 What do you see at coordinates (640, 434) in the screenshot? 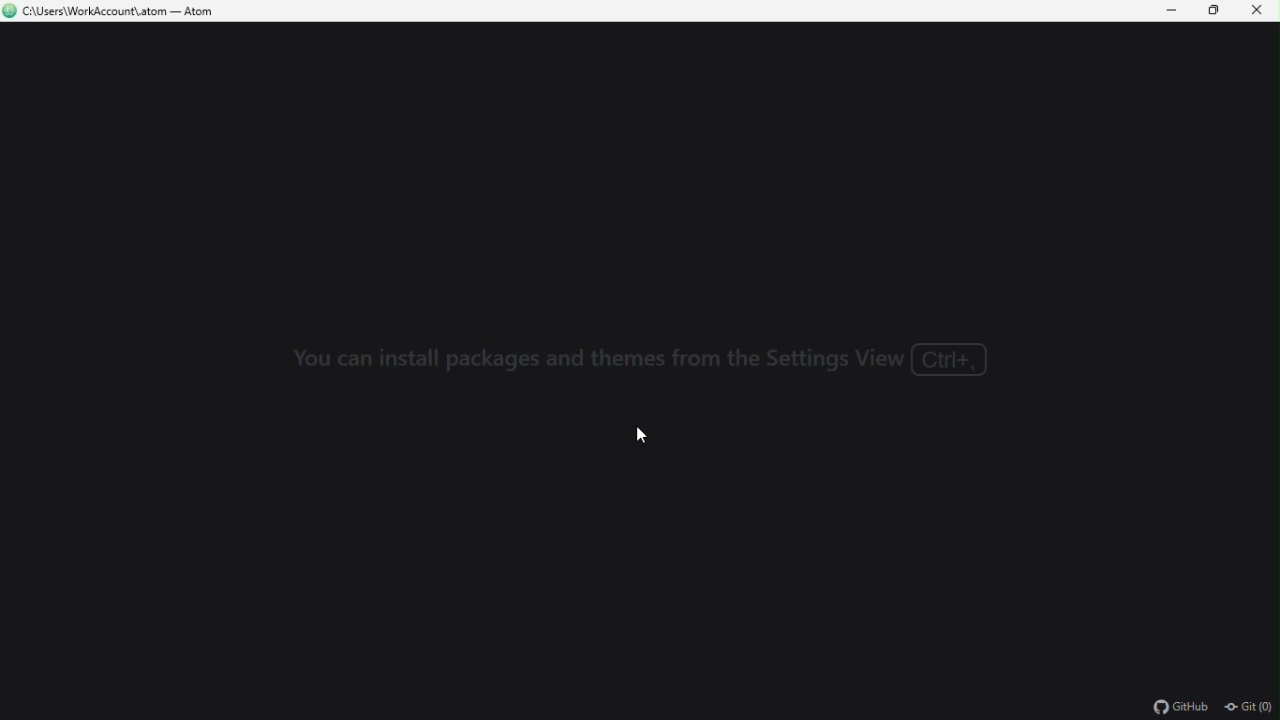
I see `Mouse` at bounding box center [640, 434].